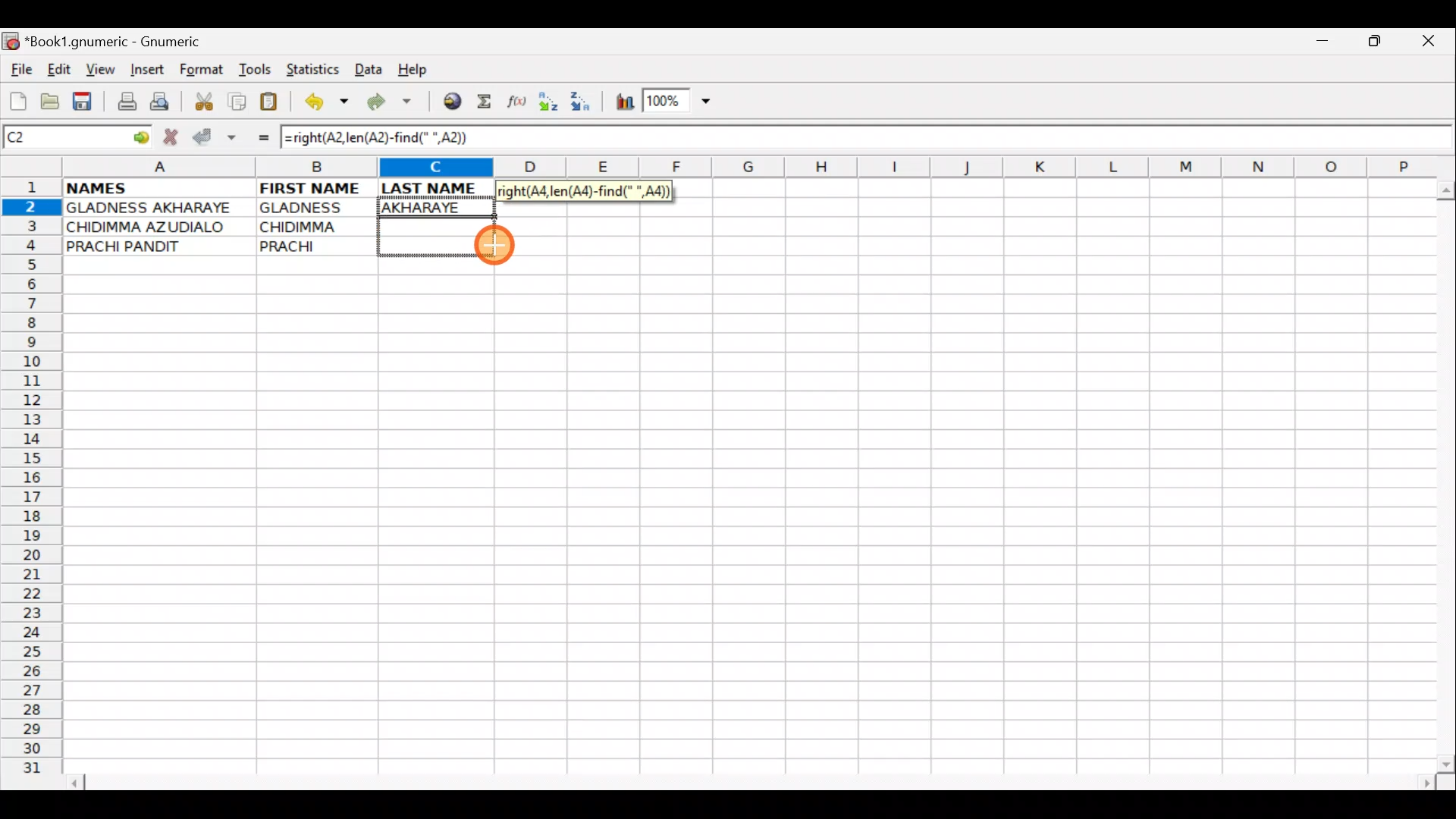 The image size is (1456, 819). Describe the element at coordinates (742, 524) in the screenshot. I see `Cells` at that location.